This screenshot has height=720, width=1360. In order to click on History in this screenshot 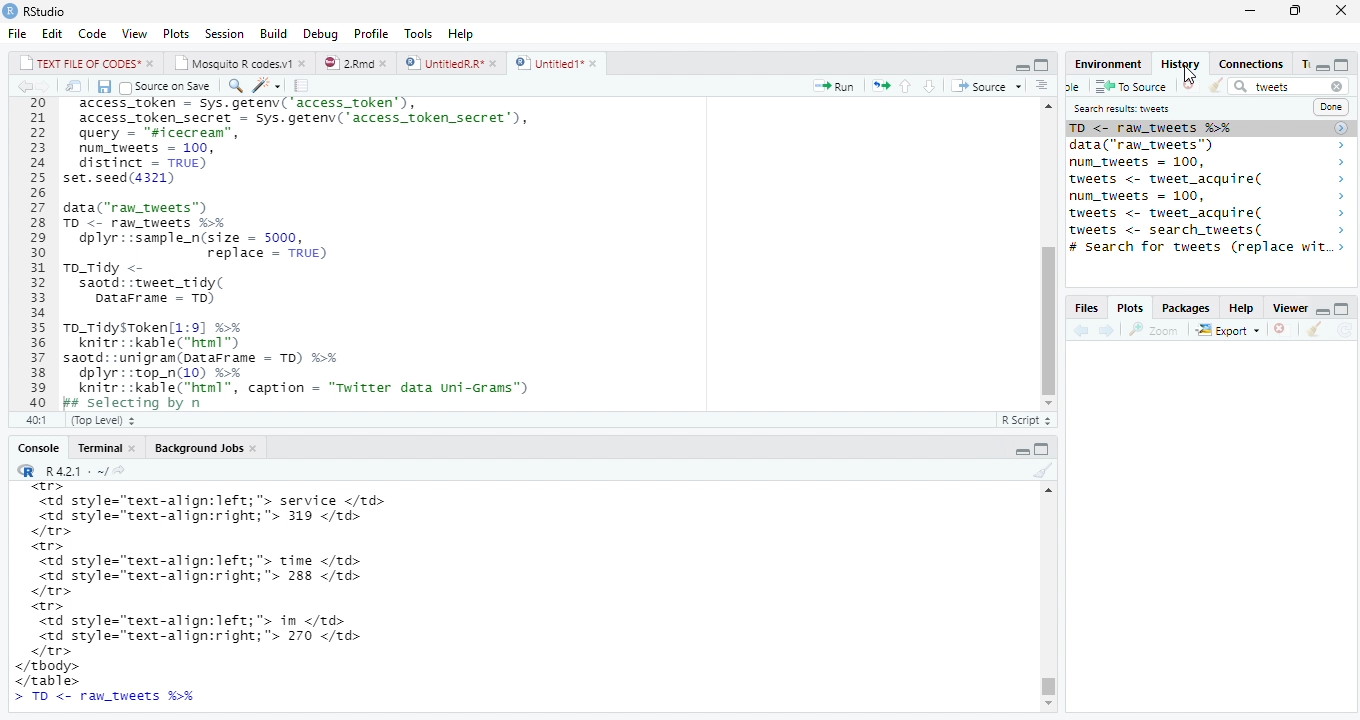, I will do `click(1179, 62)`.